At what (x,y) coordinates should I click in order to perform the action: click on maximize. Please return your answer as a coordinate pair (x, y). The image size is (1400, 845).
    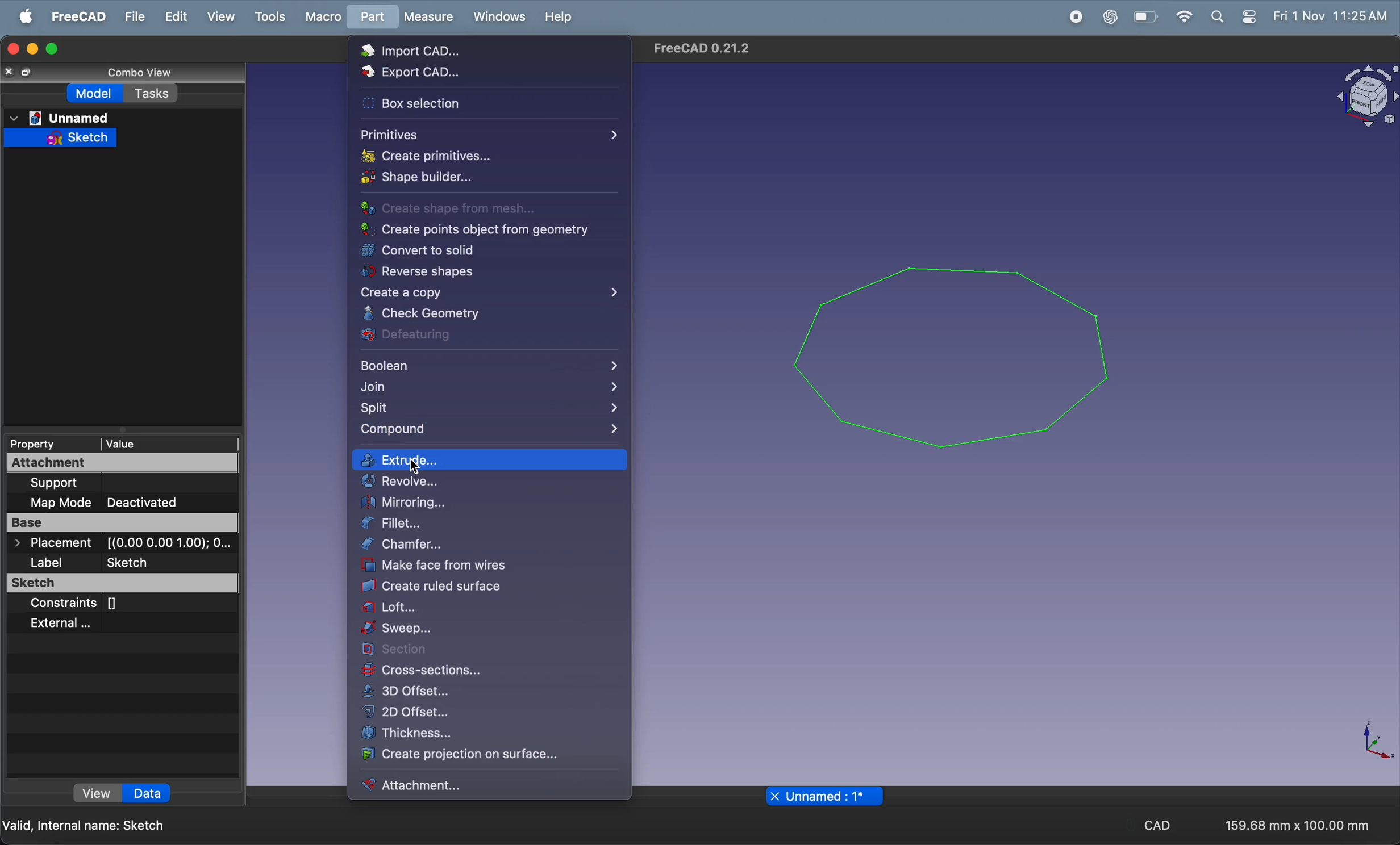
    Looking at the image, I should click on (55, 48).